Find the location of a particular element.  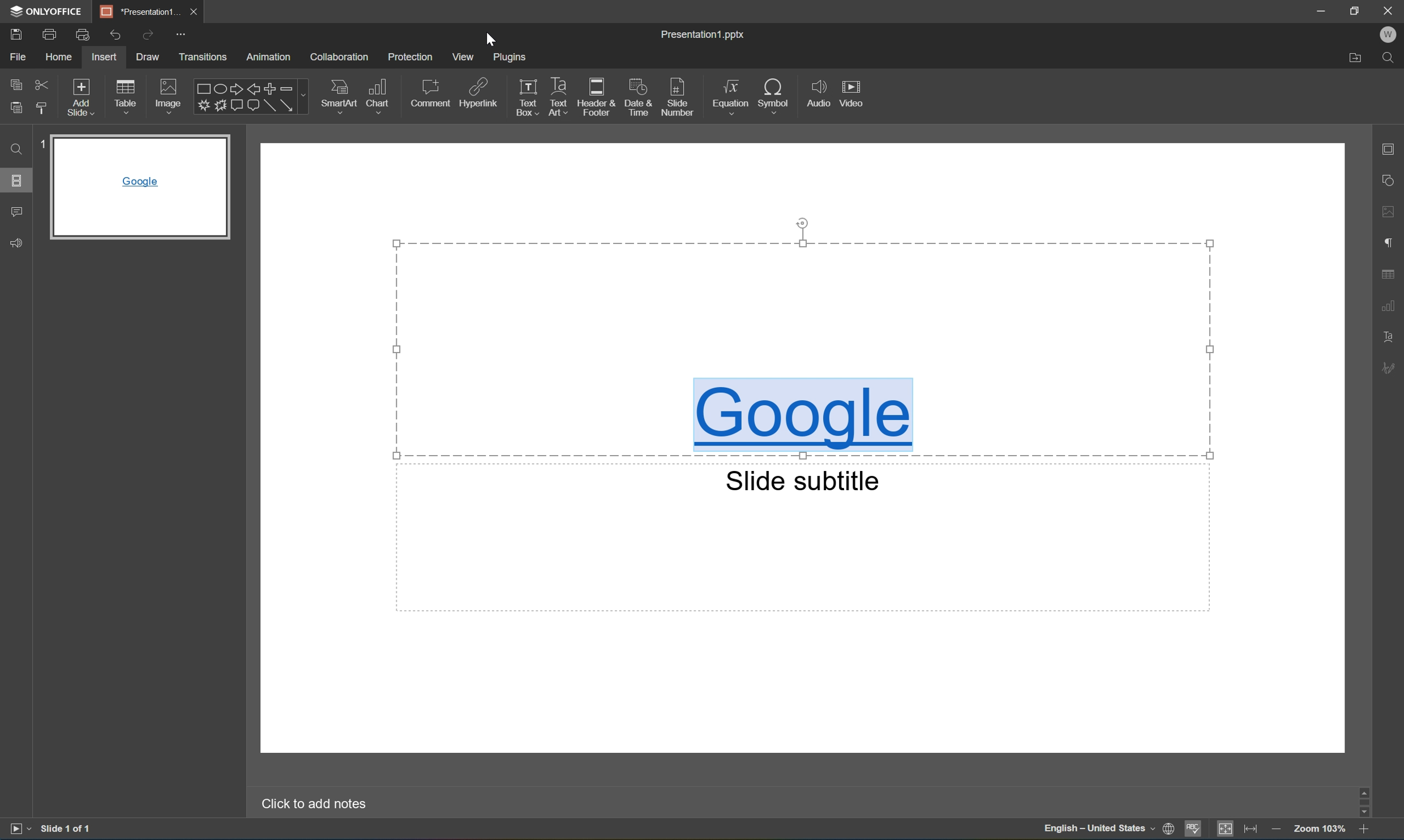

Copy is located at coordinates (15, 83).